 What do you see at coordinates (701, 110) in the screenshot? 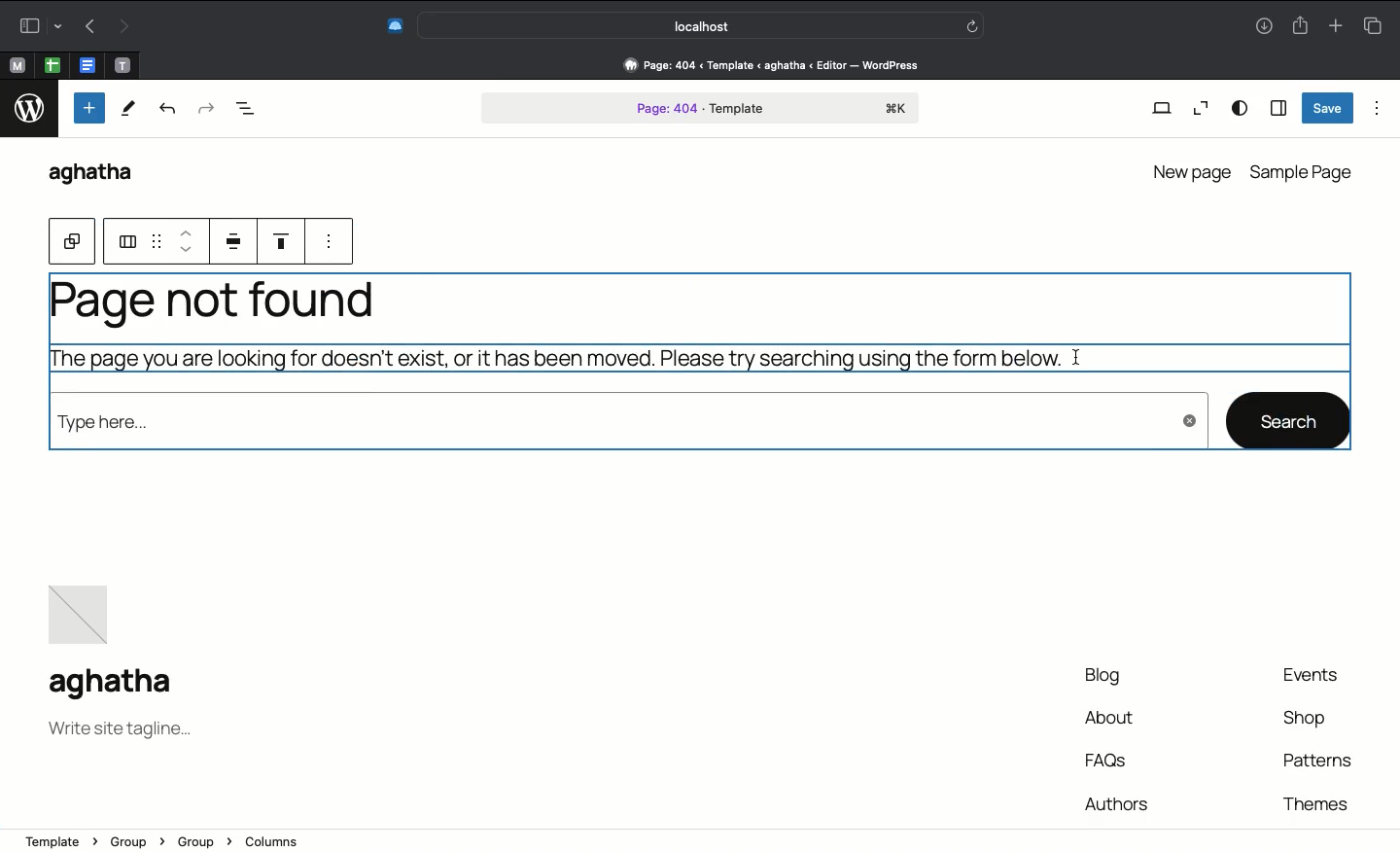
I see `Page 404` at bounding box center [701, 110].